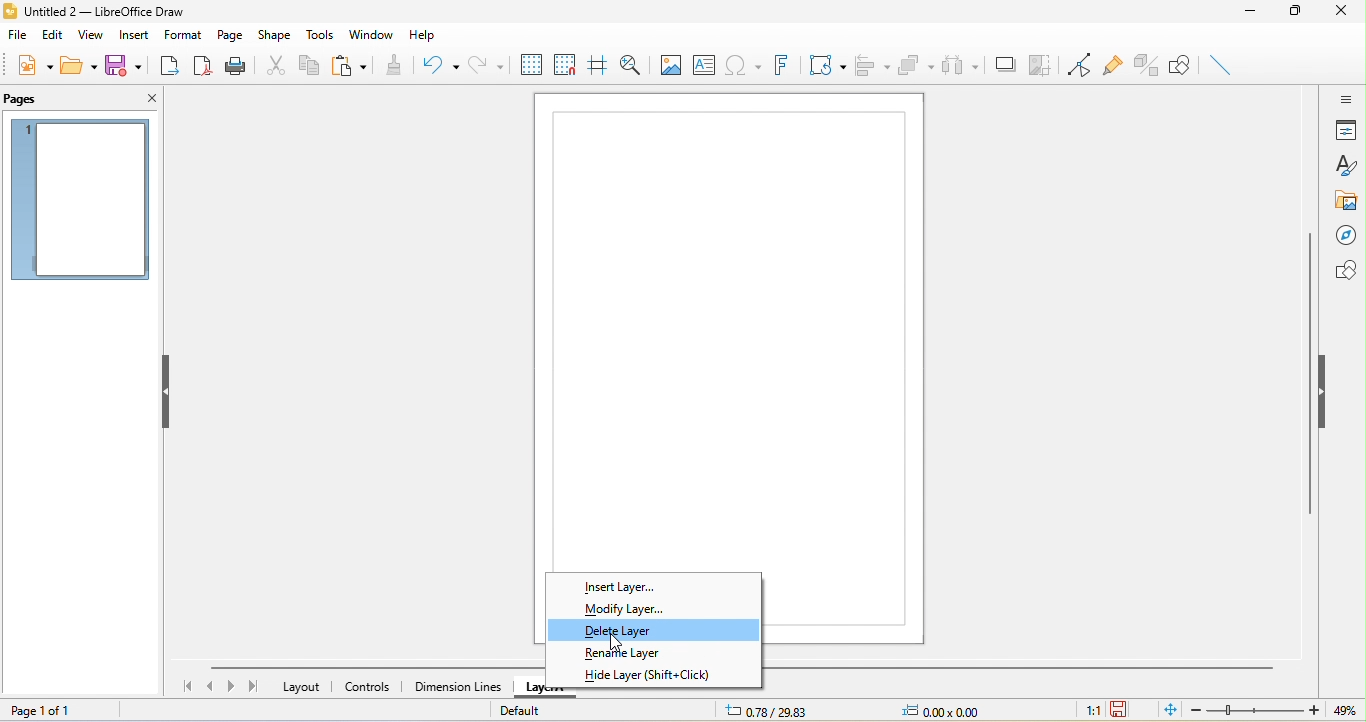  What do you see at coordinates (1347, 166) in the screenshot?
I see `styles` at bounding box center [1347, 166].